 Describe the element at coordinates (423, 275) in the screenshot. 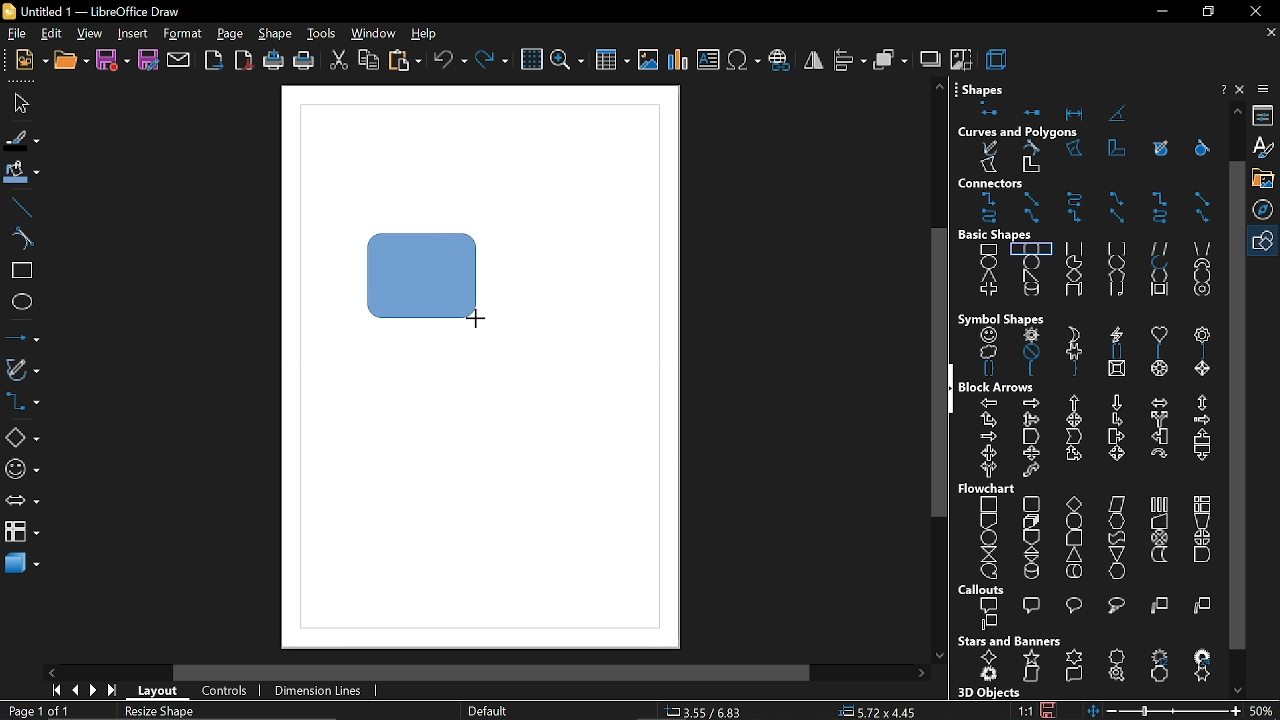

I see `shape drawn` at that location.